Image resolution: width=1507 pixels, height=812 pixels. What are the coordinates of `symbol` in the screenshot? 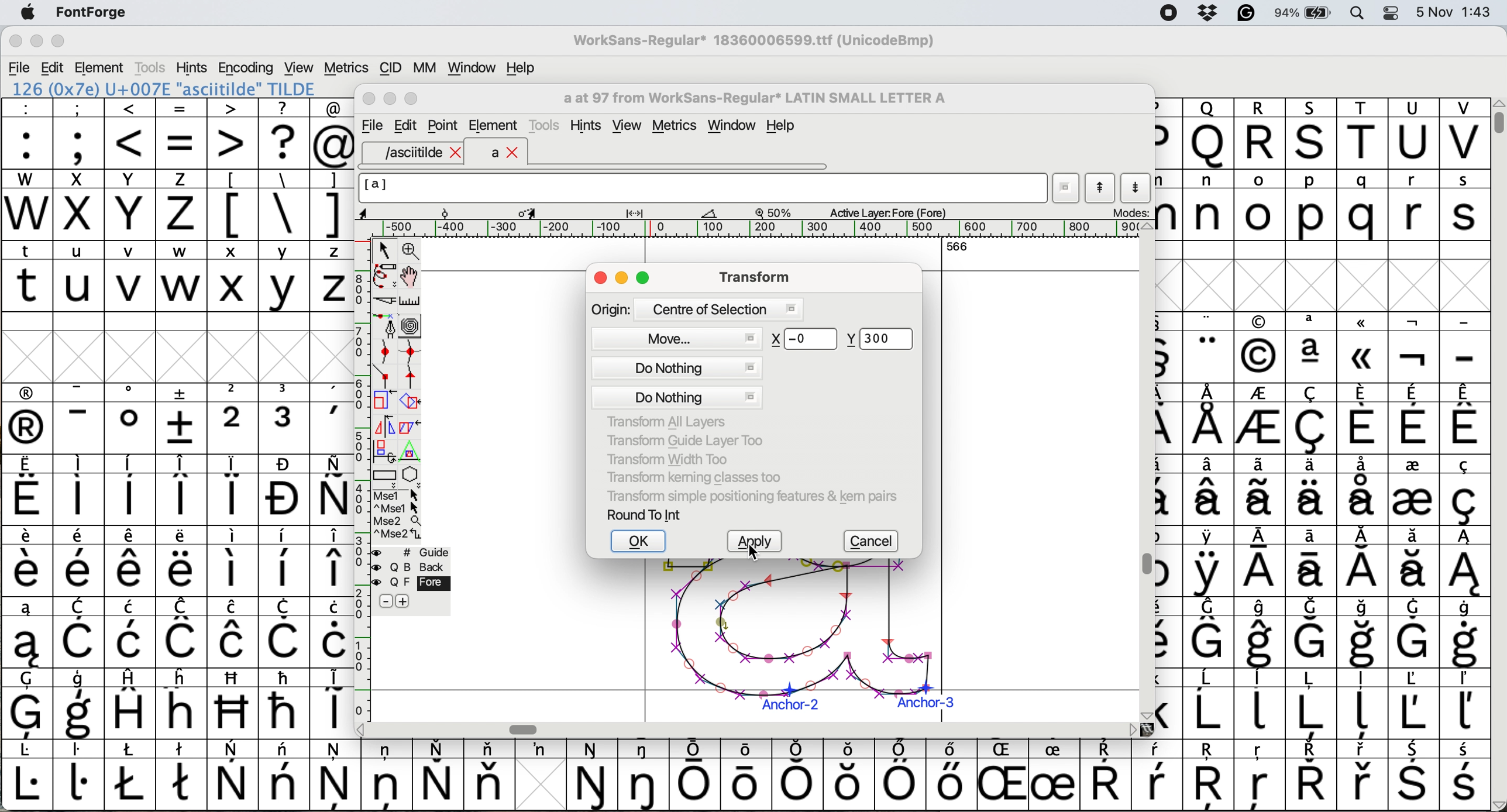 It's located at (1262, 633).